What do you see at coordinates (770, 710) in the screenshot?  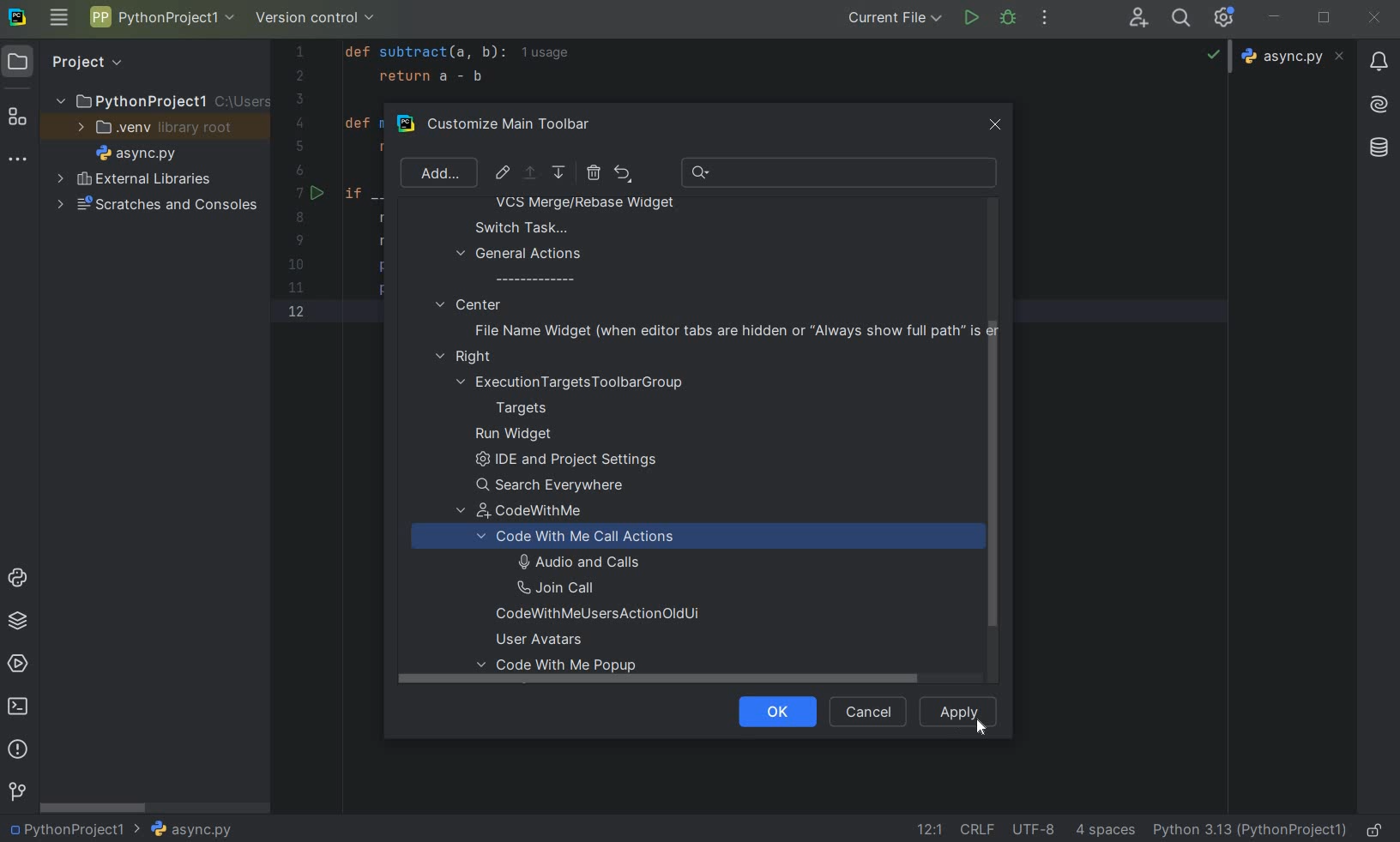 I see `ok` at bounding box center [770, 710].